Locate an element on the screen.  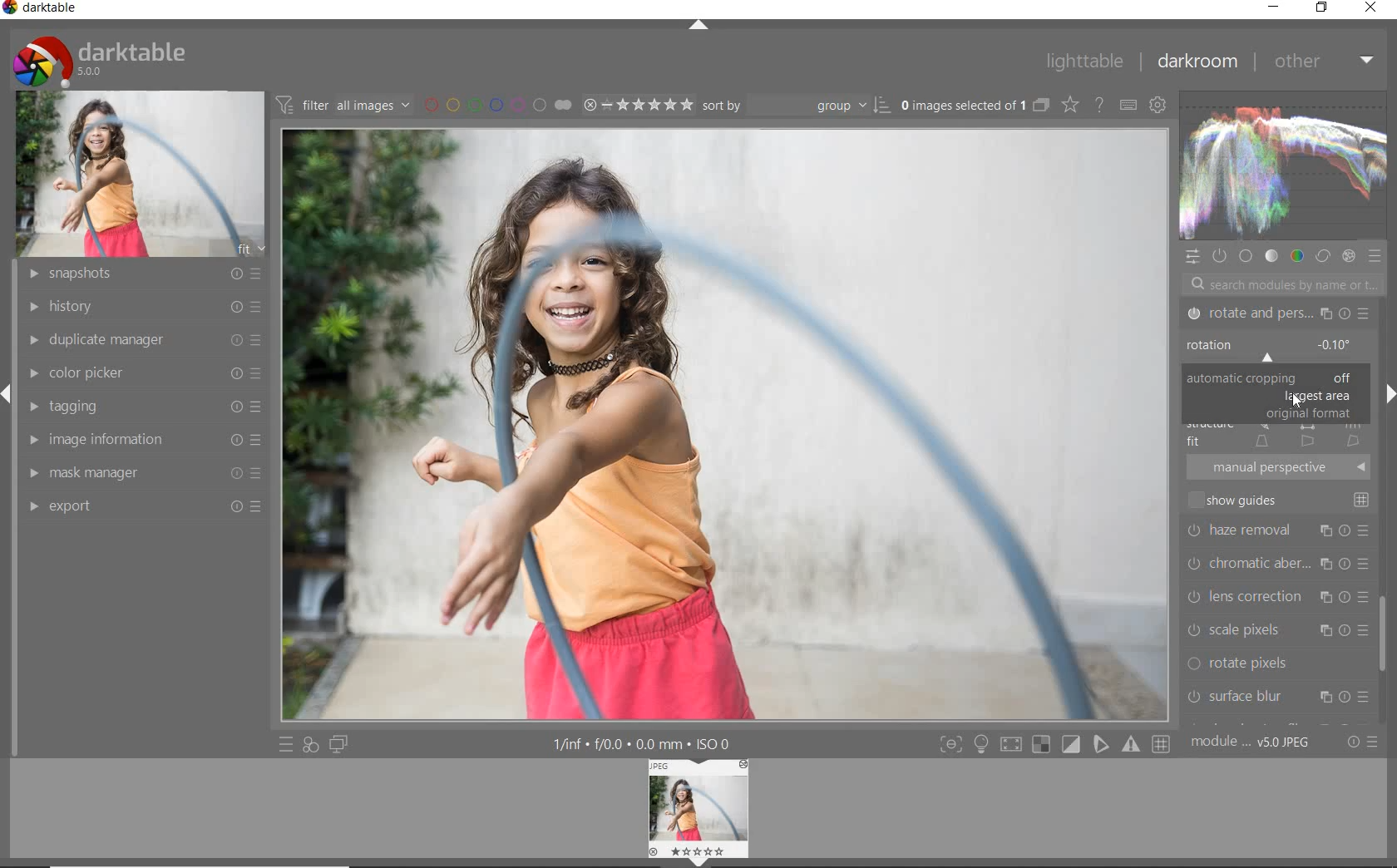
waveform is located at coordinates (1281, 165).